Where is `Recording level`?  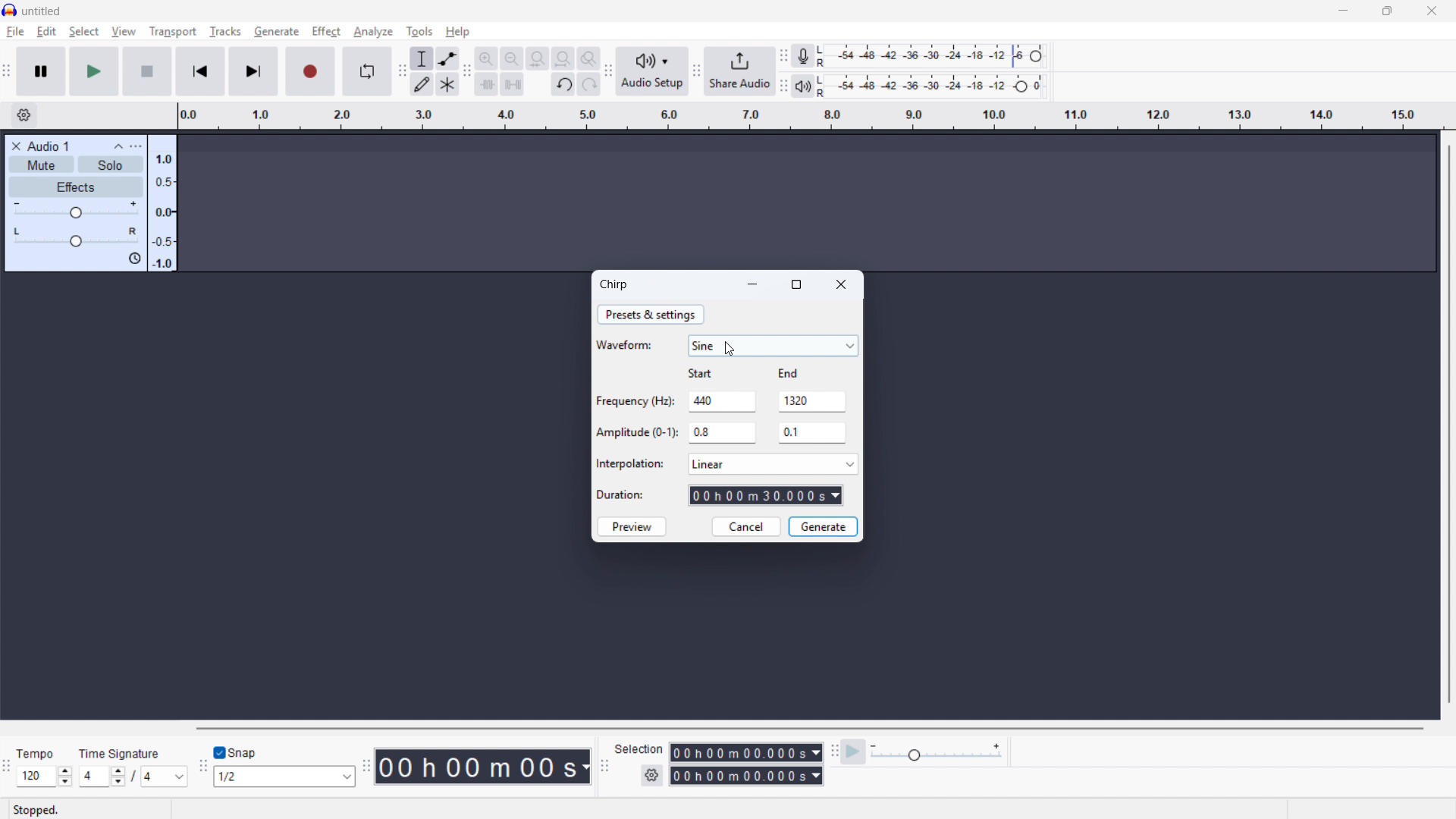 Recording level is located at coordinates (935, 56).